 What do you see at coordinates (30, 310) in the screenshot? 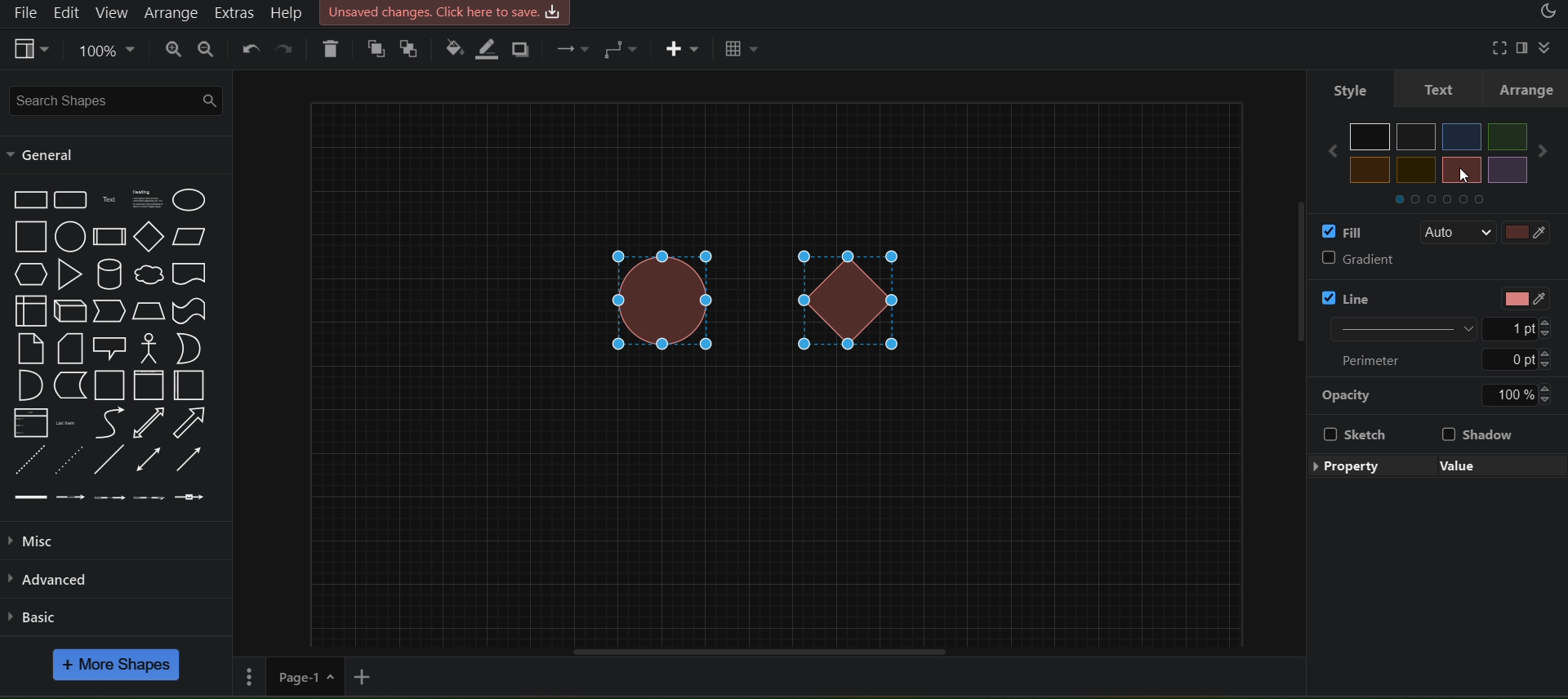
I see `Internal Storage` at bounding box center [30, 310].